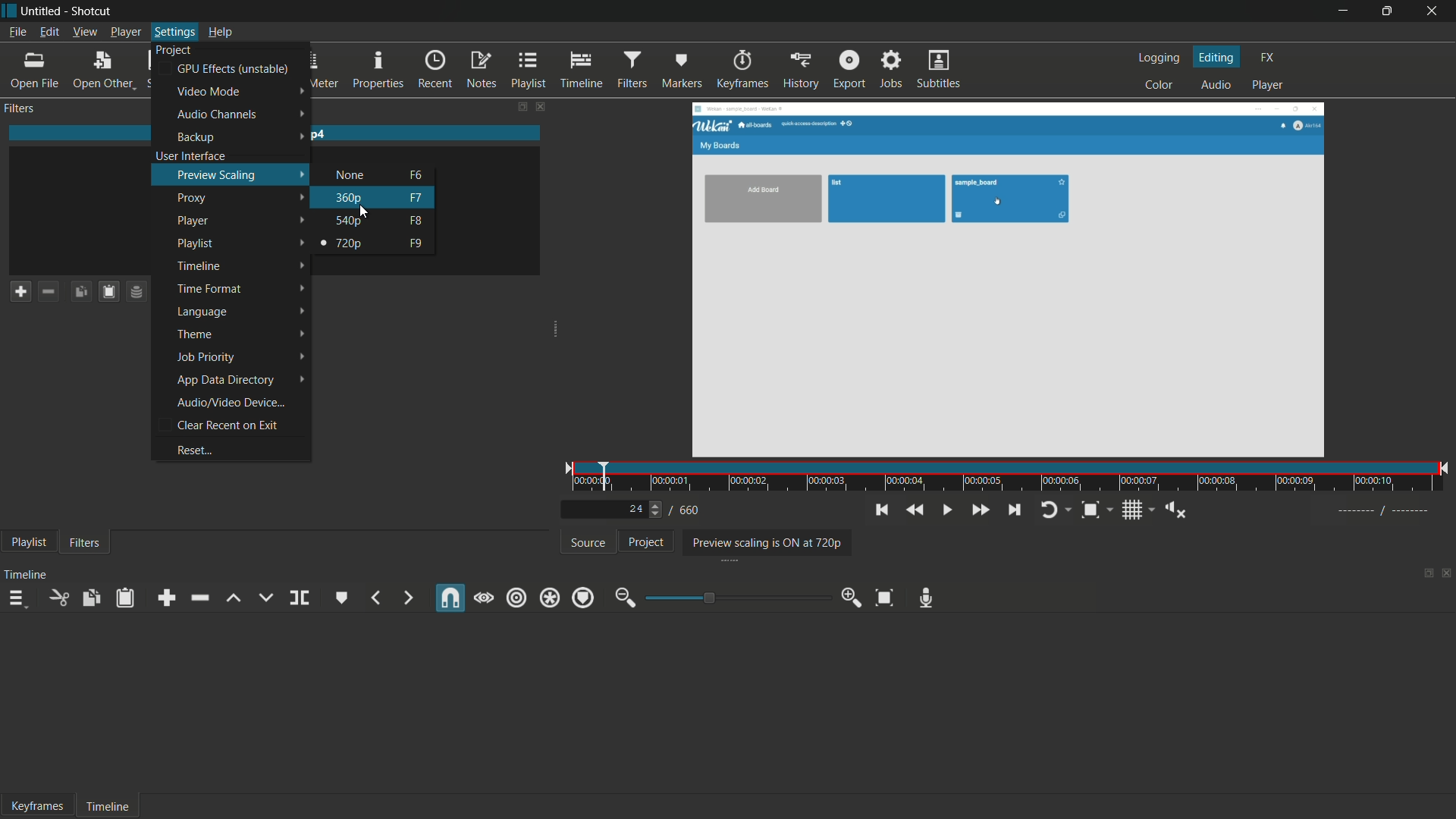  What do you see at coordinates (233, 598) in the screenshot?
I see `lift` at bounding box center [233, 598].